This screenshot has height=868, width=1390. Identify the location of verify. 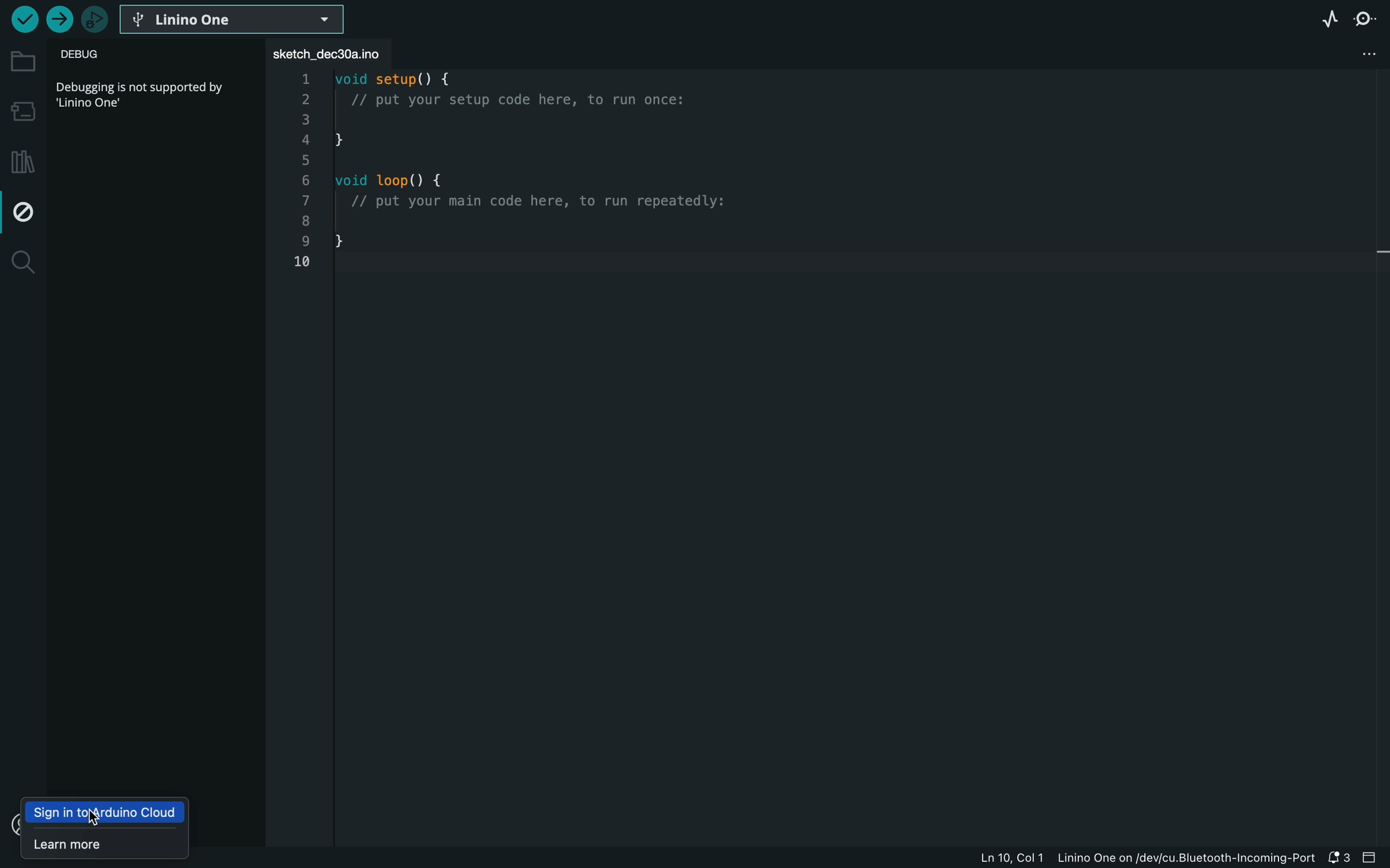
(21, 19).